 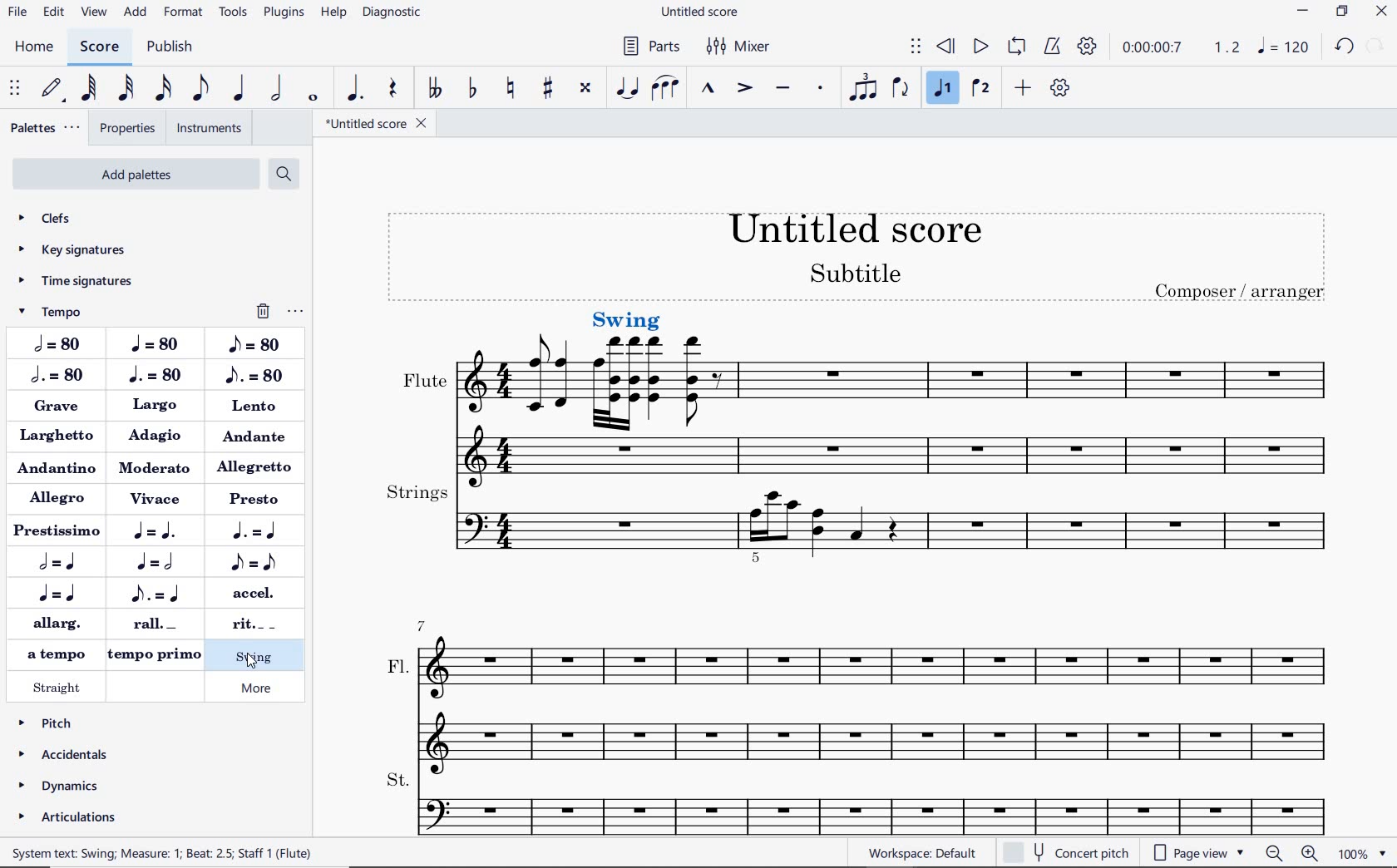 What do you see at coordinates (136, 13) in the screenshot?
I see `add` at bounding box center [136, 13].